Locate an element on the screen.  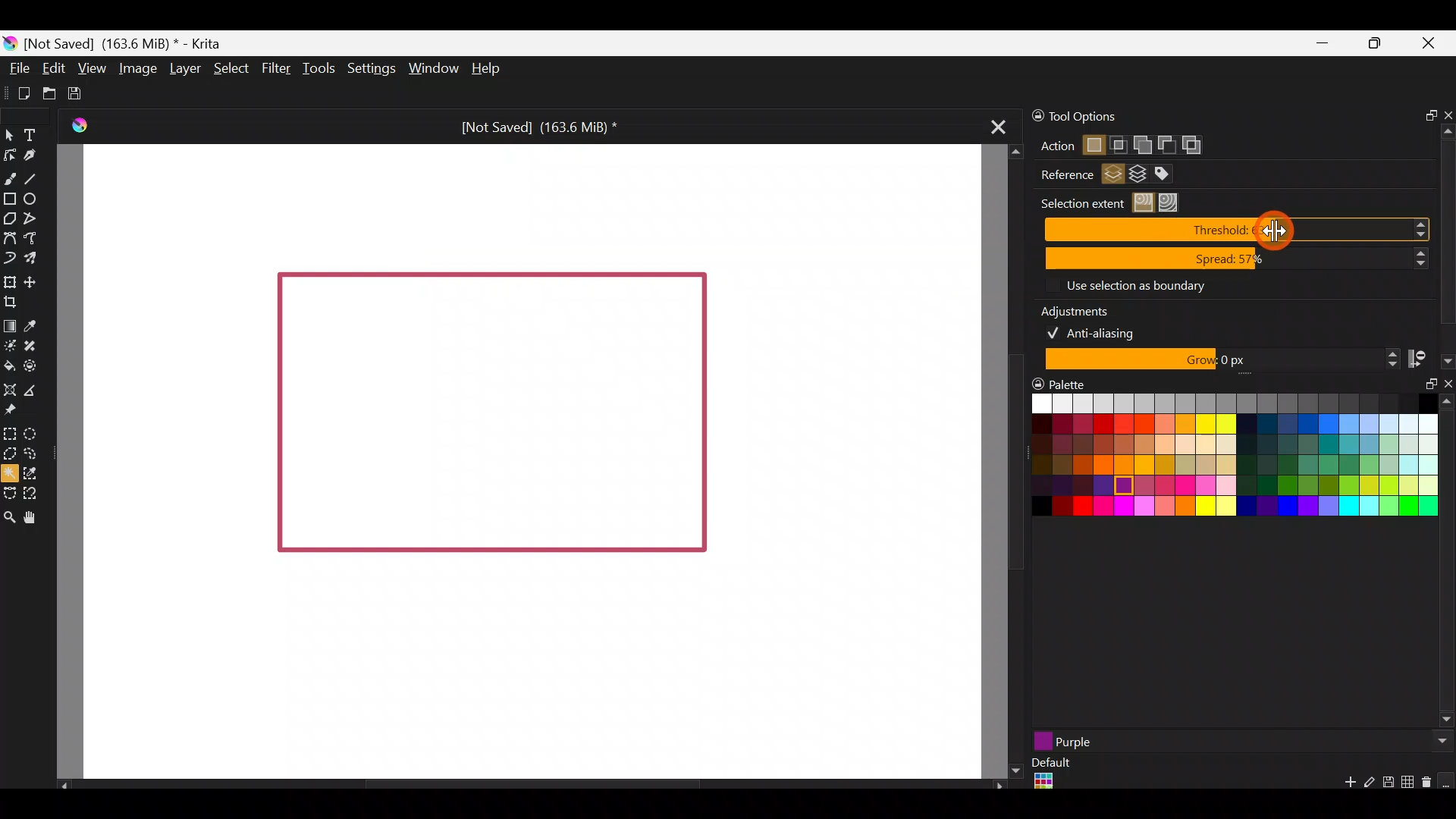
Lock docker is located at coordinates (1030, 116).